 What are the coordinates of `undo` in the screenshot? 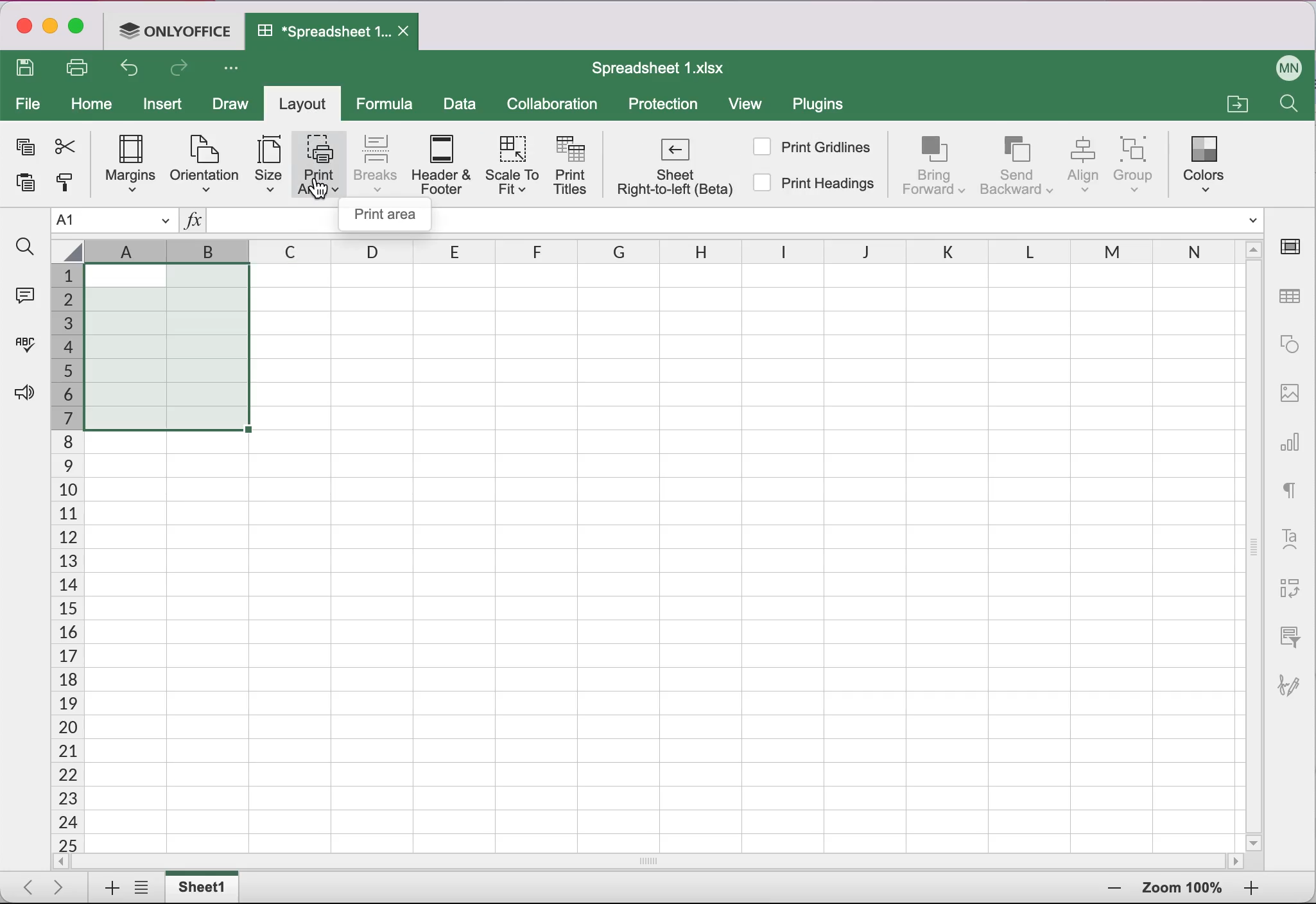 It's located at (134, 71).